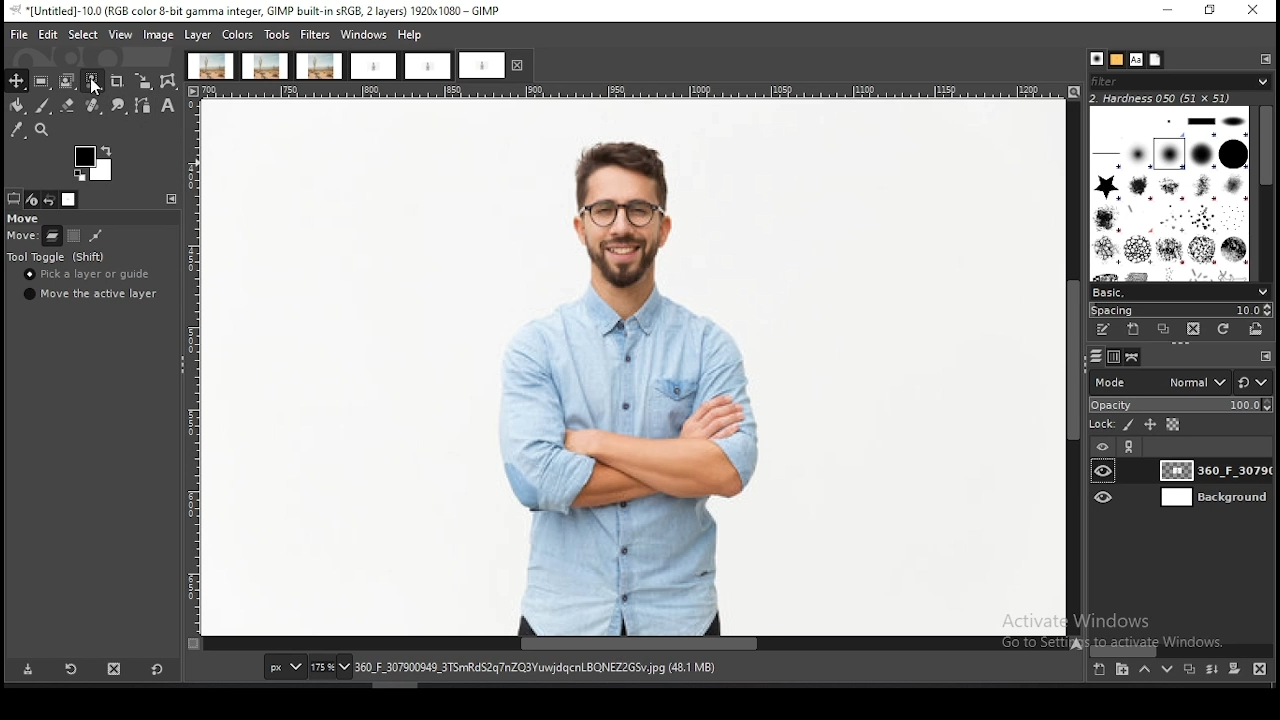 Image resolution: width=1280 pixels, height=720 pixels. What do you see at coordinates (364, 35) in the screenshot?
I see `windows` at bounding box center [364, 35].